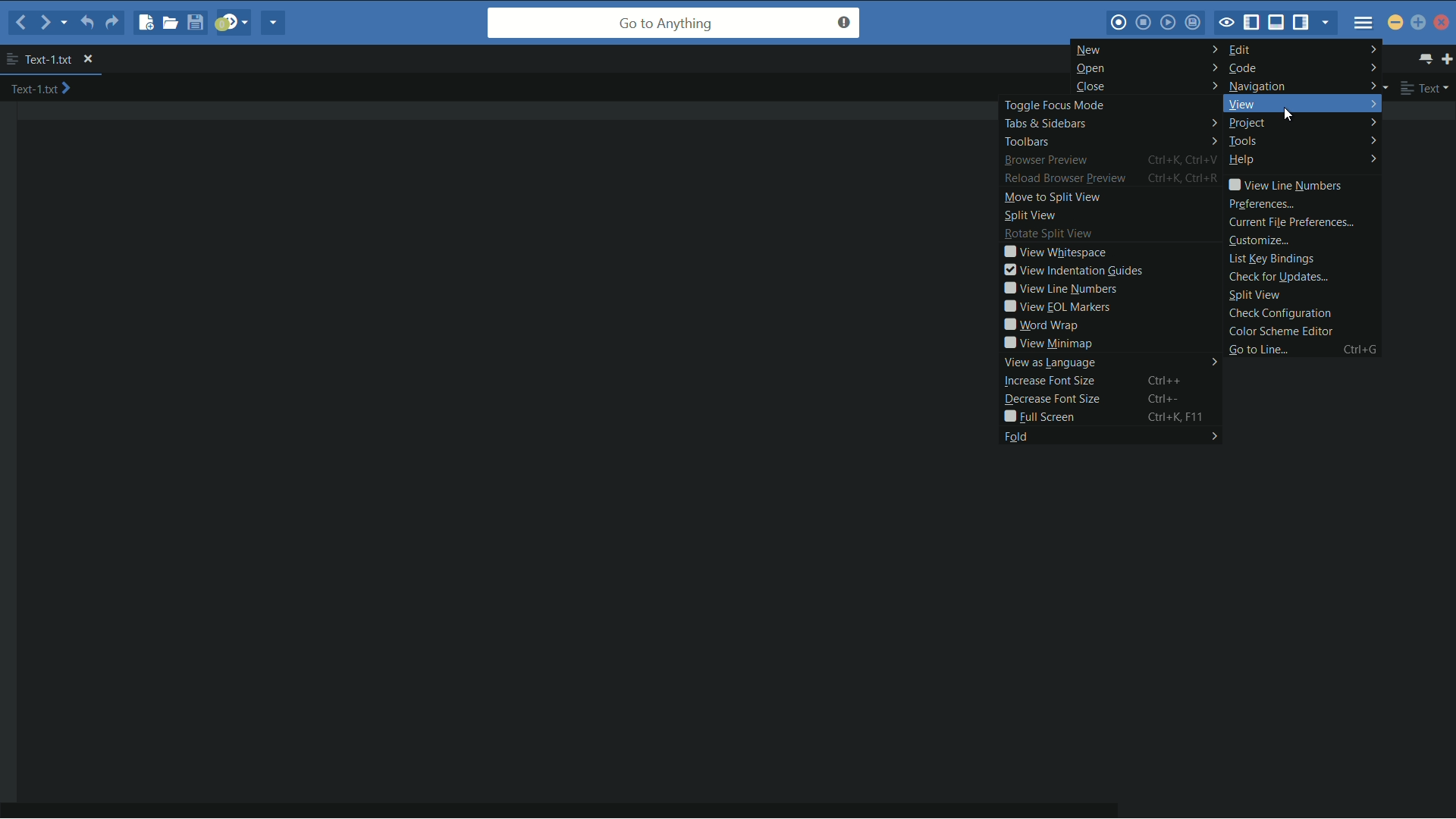 The height and width of the screenshot is (819, 1456). Describe the element at coordinates (1063, 179) in the screenshot. I see `reload browse preview` at that location.